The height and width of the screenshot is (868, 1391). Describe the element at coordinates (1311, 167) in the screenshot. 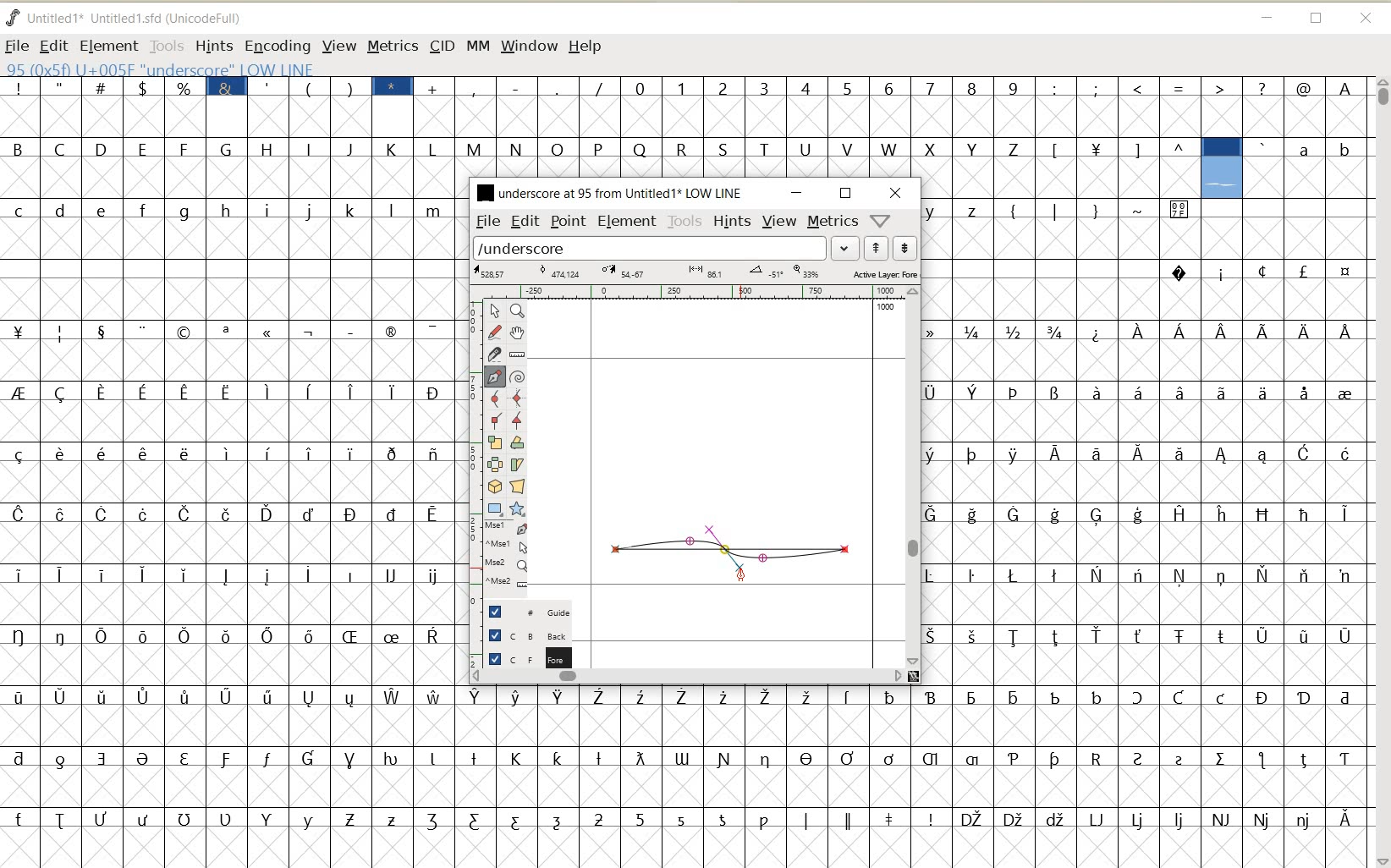

I see `GLYPHY CHARACTERS` at that location.